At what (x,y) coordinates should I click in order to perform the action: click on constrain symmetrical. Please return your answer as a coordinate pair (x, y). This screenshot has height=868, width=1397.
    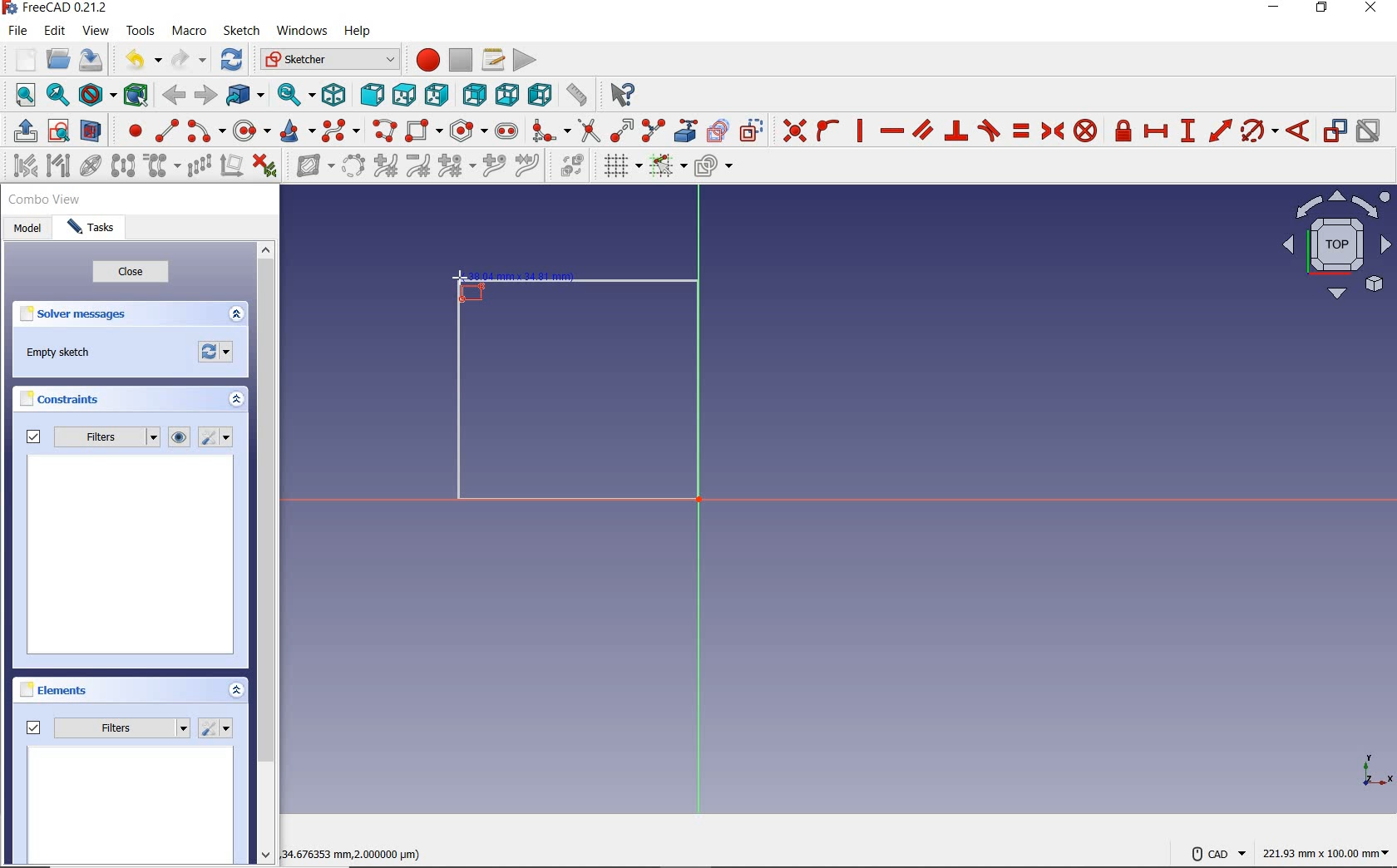
    Looking at the image, I should click on (1054, 131).